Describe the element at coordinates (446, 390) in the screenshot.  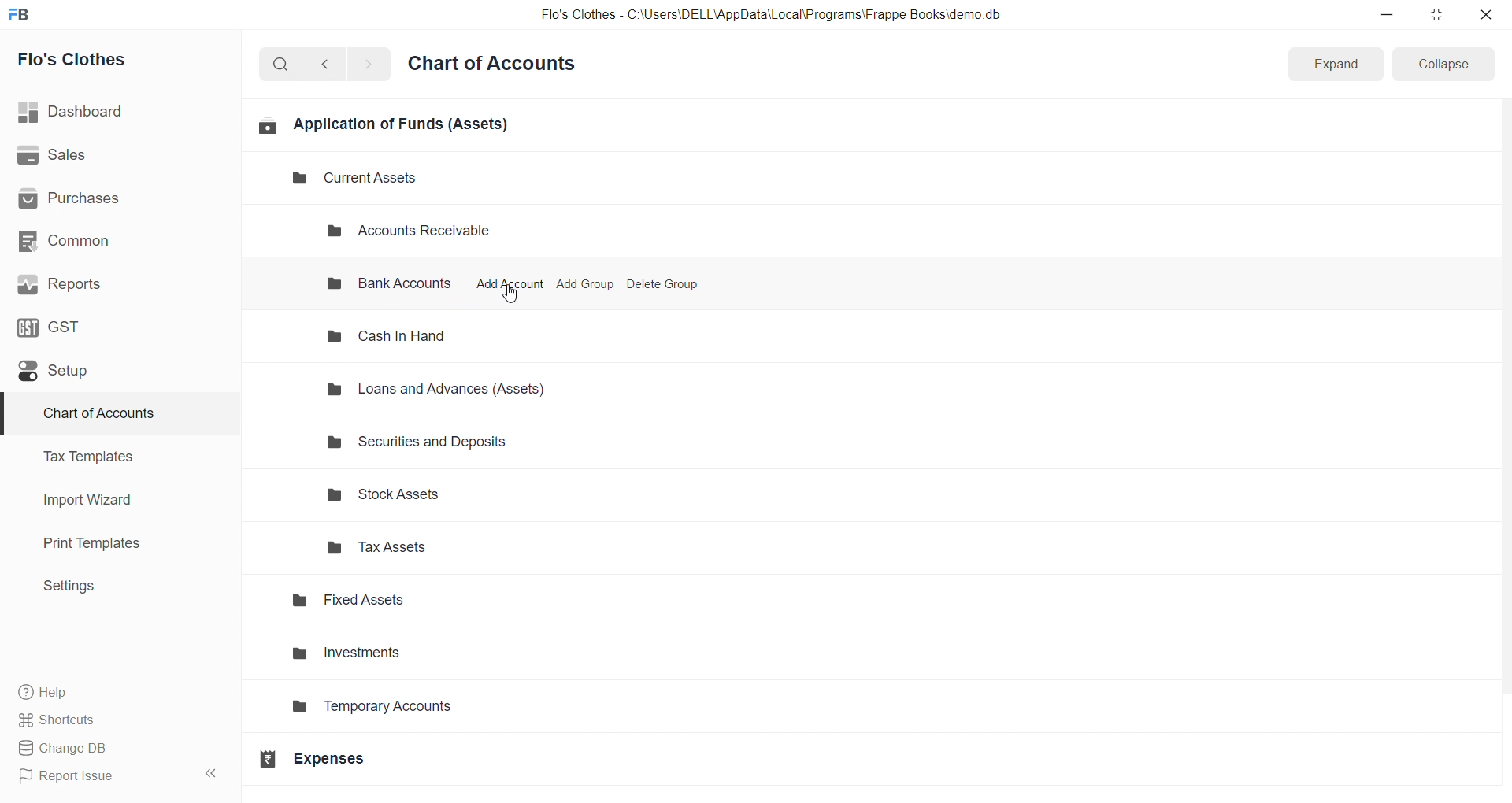
I see `Loans and Advances (Assets)` at that location.